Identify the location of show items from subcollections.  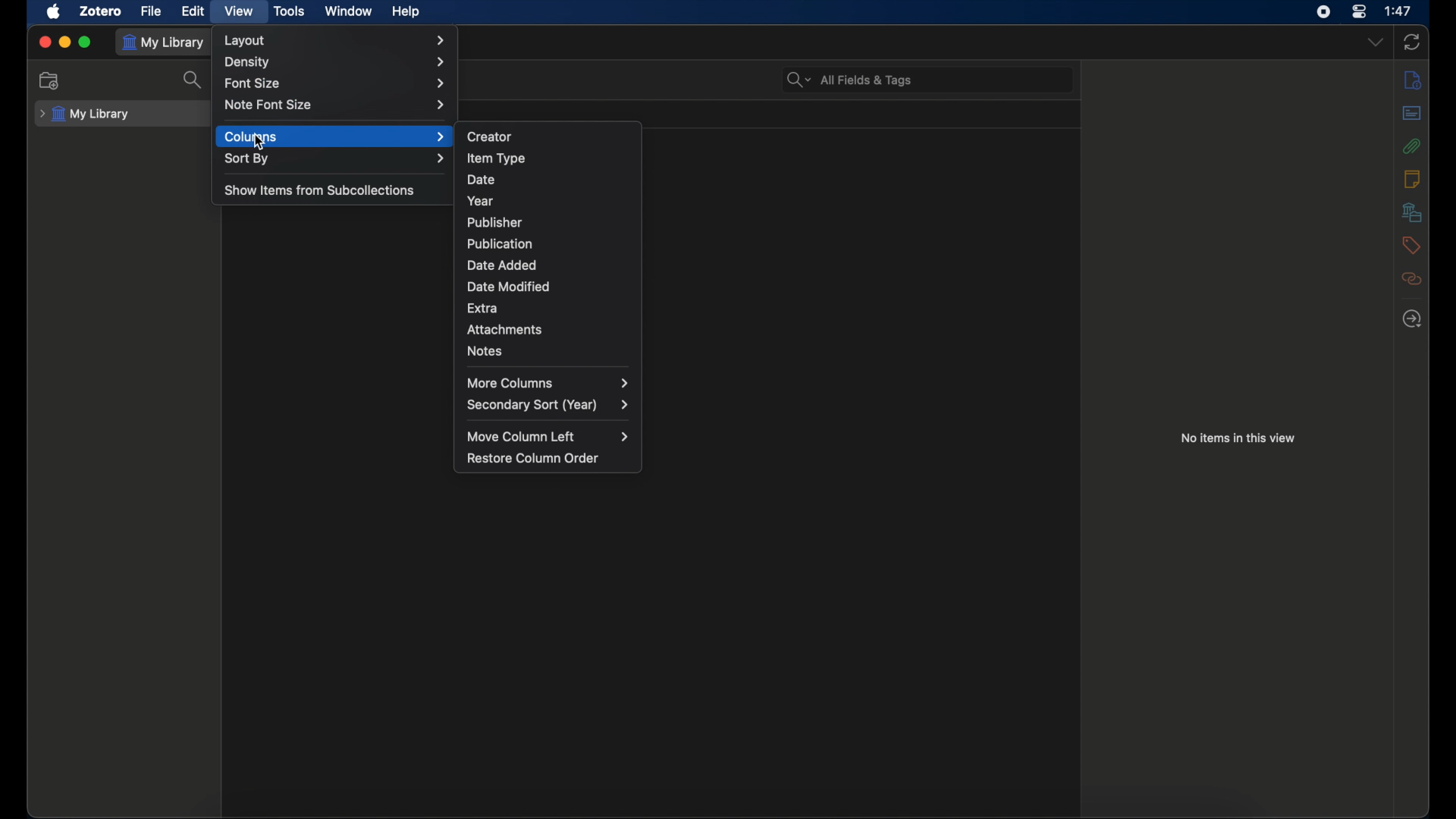
(322, 189).